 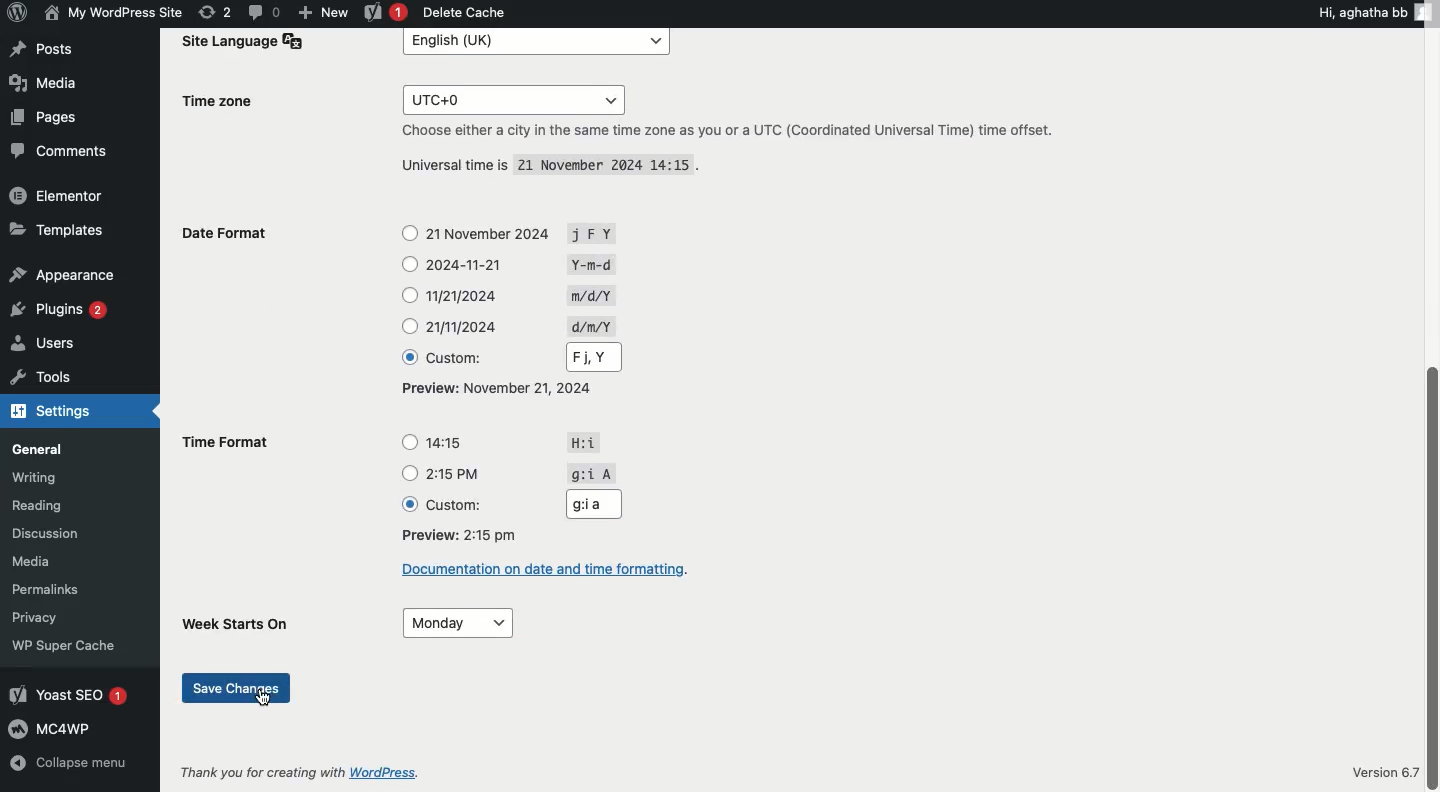 What do you see at coordinates (729, 131) in the screenshot?
I see `Choose either a city in the same time zone as you or a UTC (Coordinated Universal Time) time offset.` at bounding box center [729, 131].